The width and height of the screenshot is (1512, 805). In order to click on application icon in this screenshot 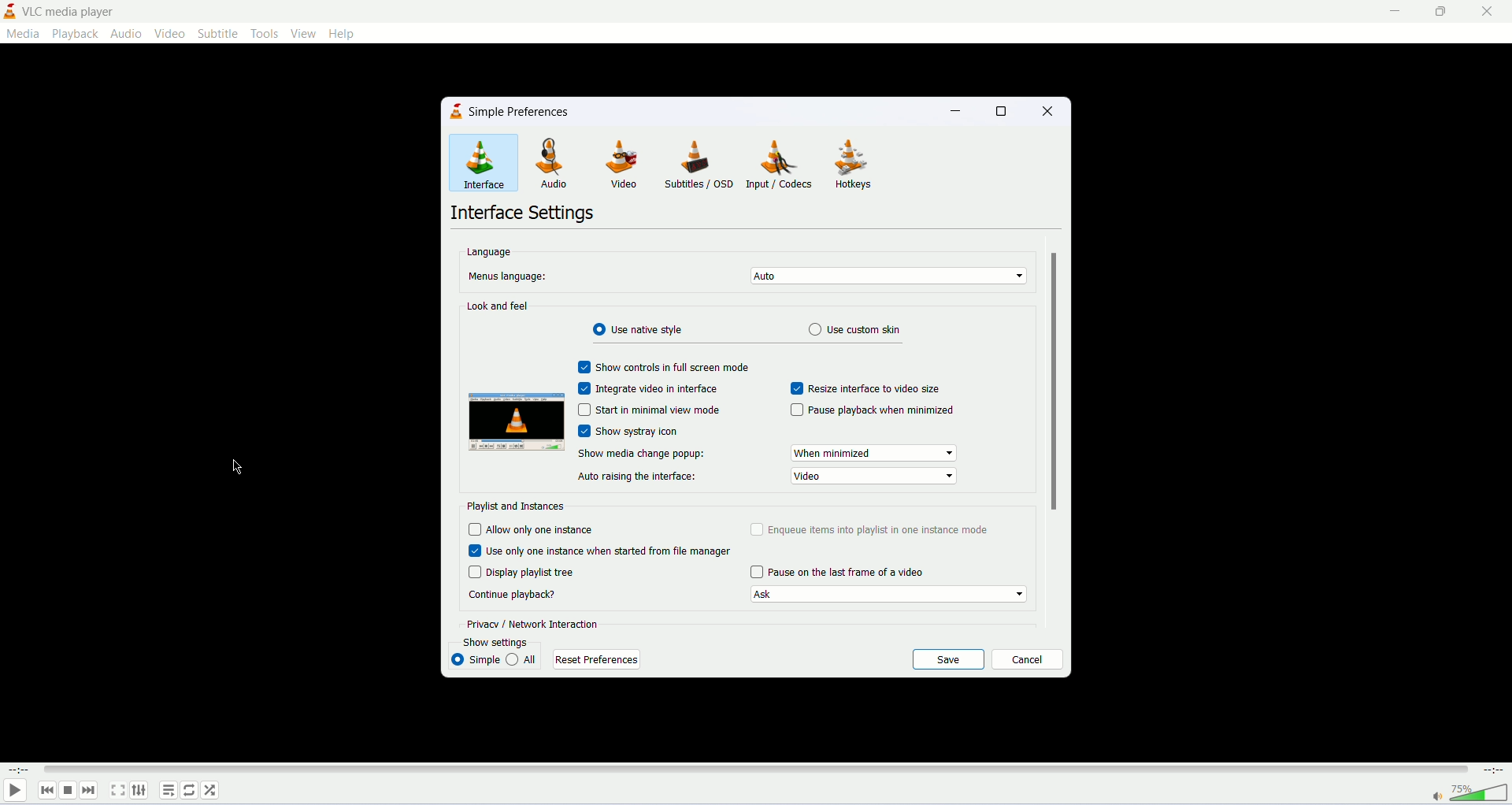, I will do `click(9, 11)`.